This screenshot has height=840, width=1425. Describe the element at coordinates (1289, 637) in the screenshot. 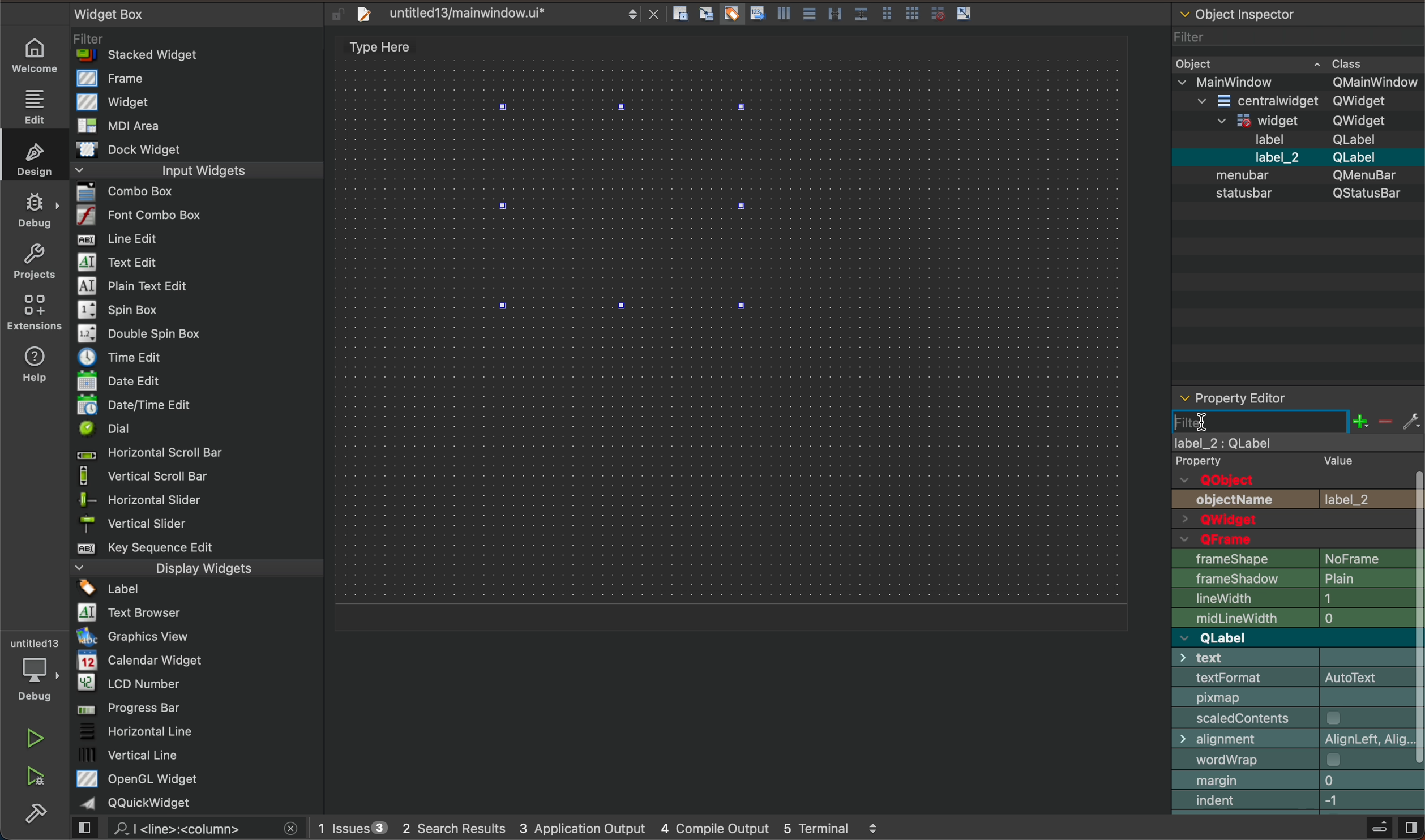

I see `QLabel` at that location.